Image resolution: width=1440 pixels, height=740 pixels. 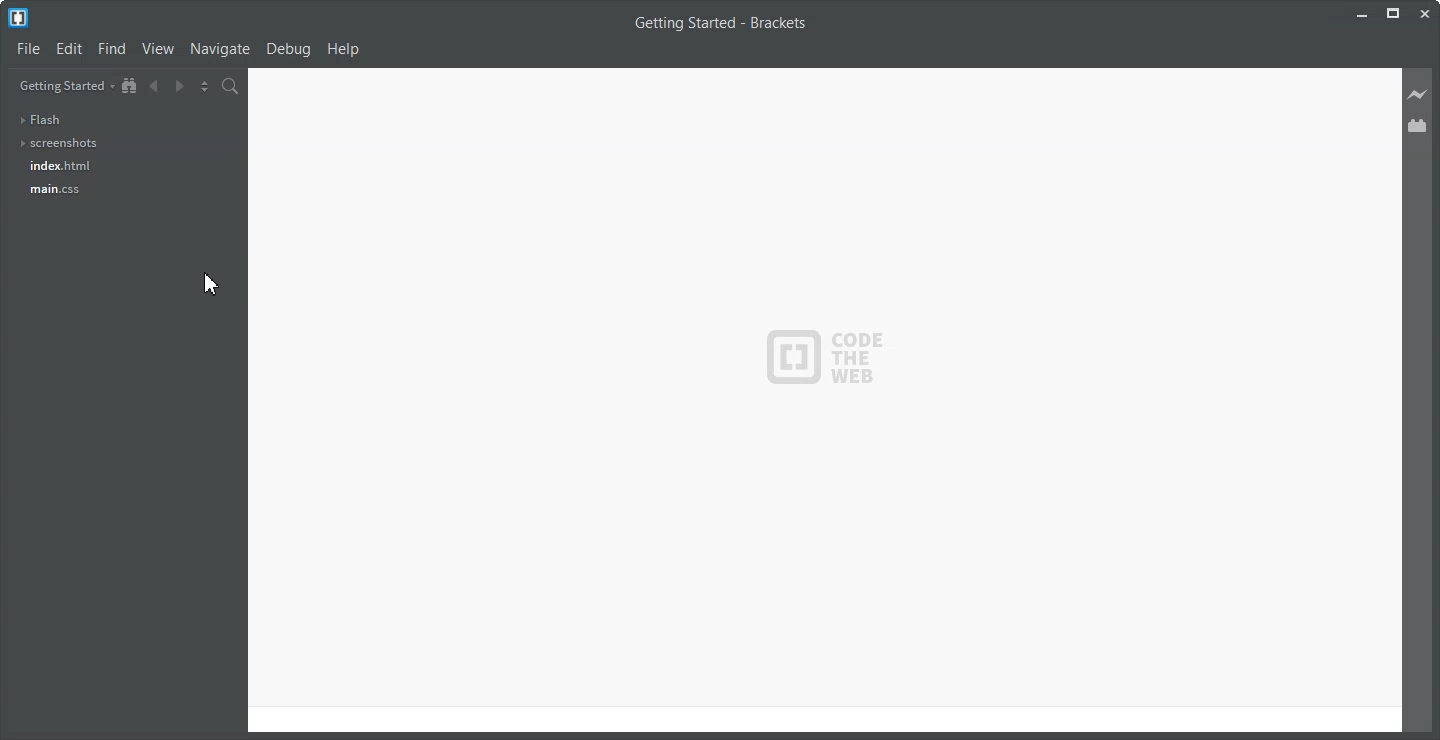 What do you see at coordinates (344, 49) in the screenshot?
I see `Help` at bounding box center [344, 49].